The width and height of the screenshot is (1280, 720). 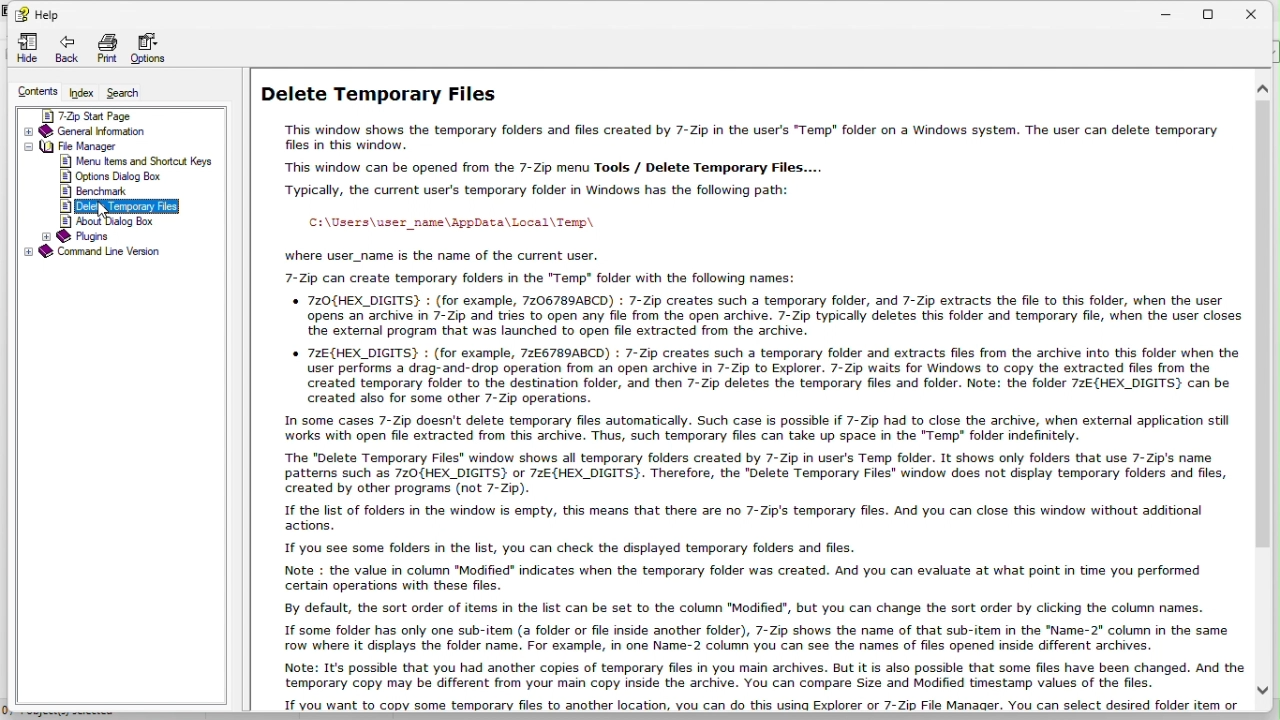 I want to click on Command line version, so click(x=117, y=253).